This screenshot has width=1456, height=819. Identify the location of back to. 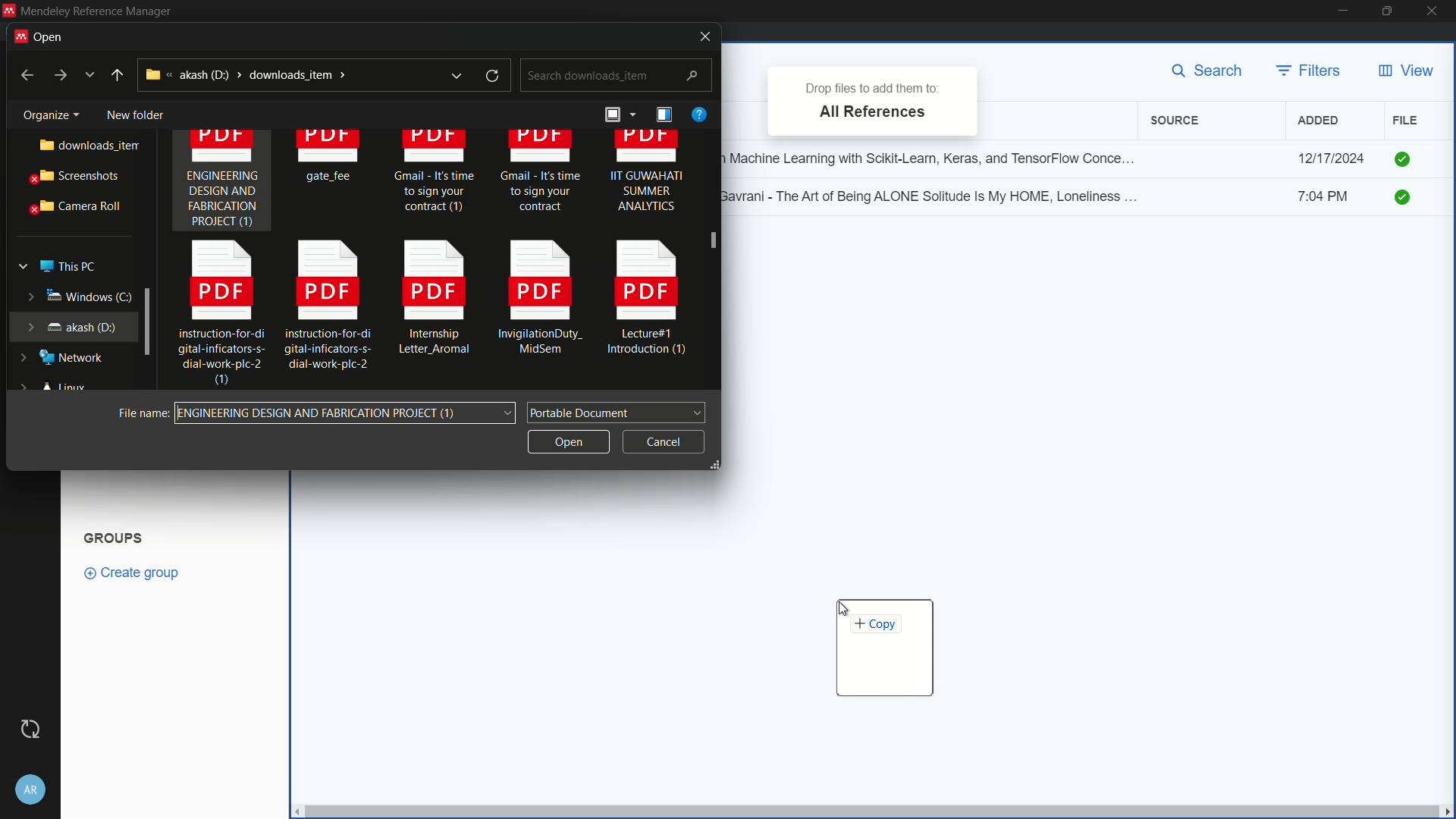
(22, 74).